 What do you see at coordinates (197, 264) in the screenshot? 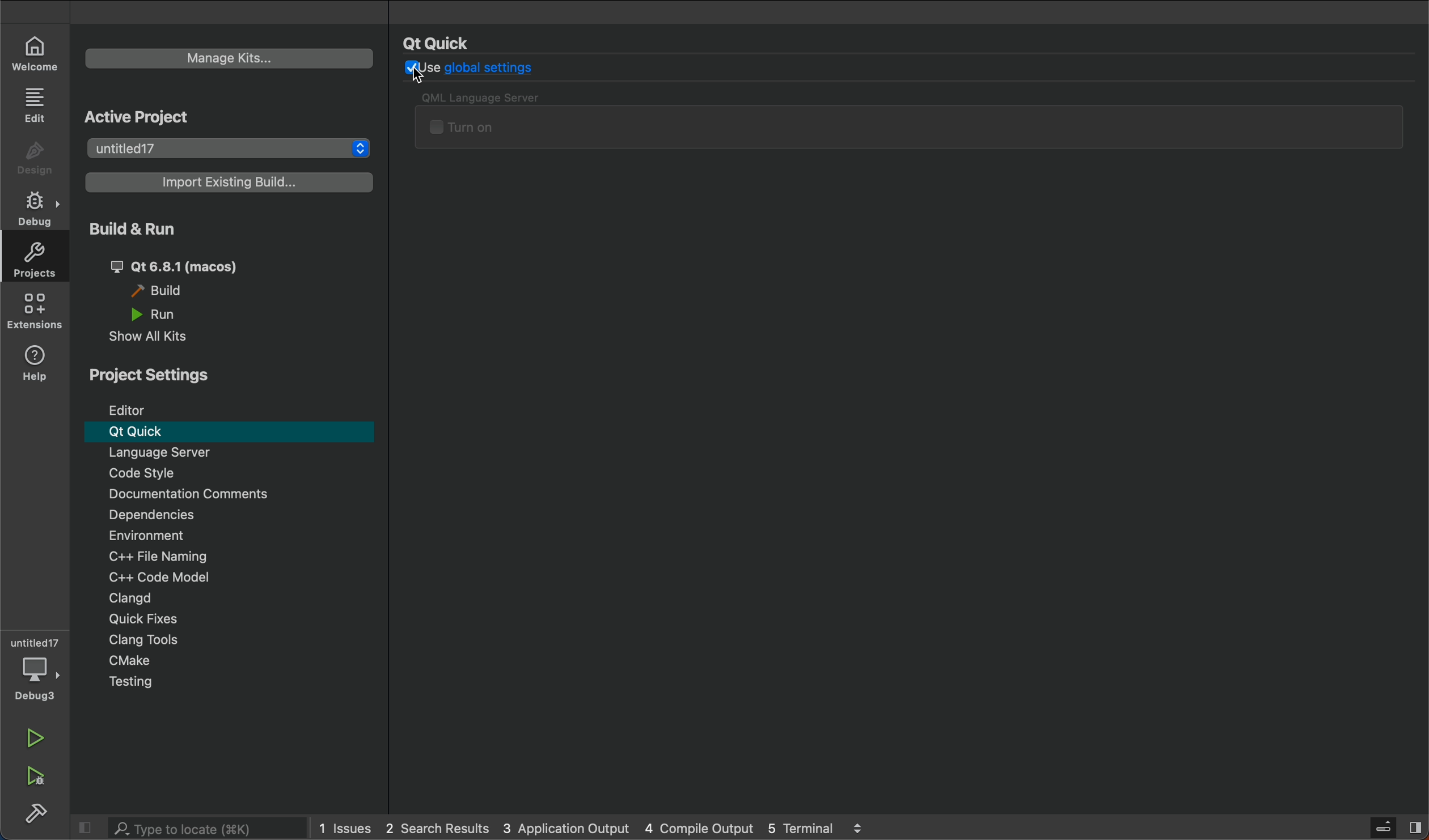
I see `qt 6.81 ` at bounding box center [197, 264].